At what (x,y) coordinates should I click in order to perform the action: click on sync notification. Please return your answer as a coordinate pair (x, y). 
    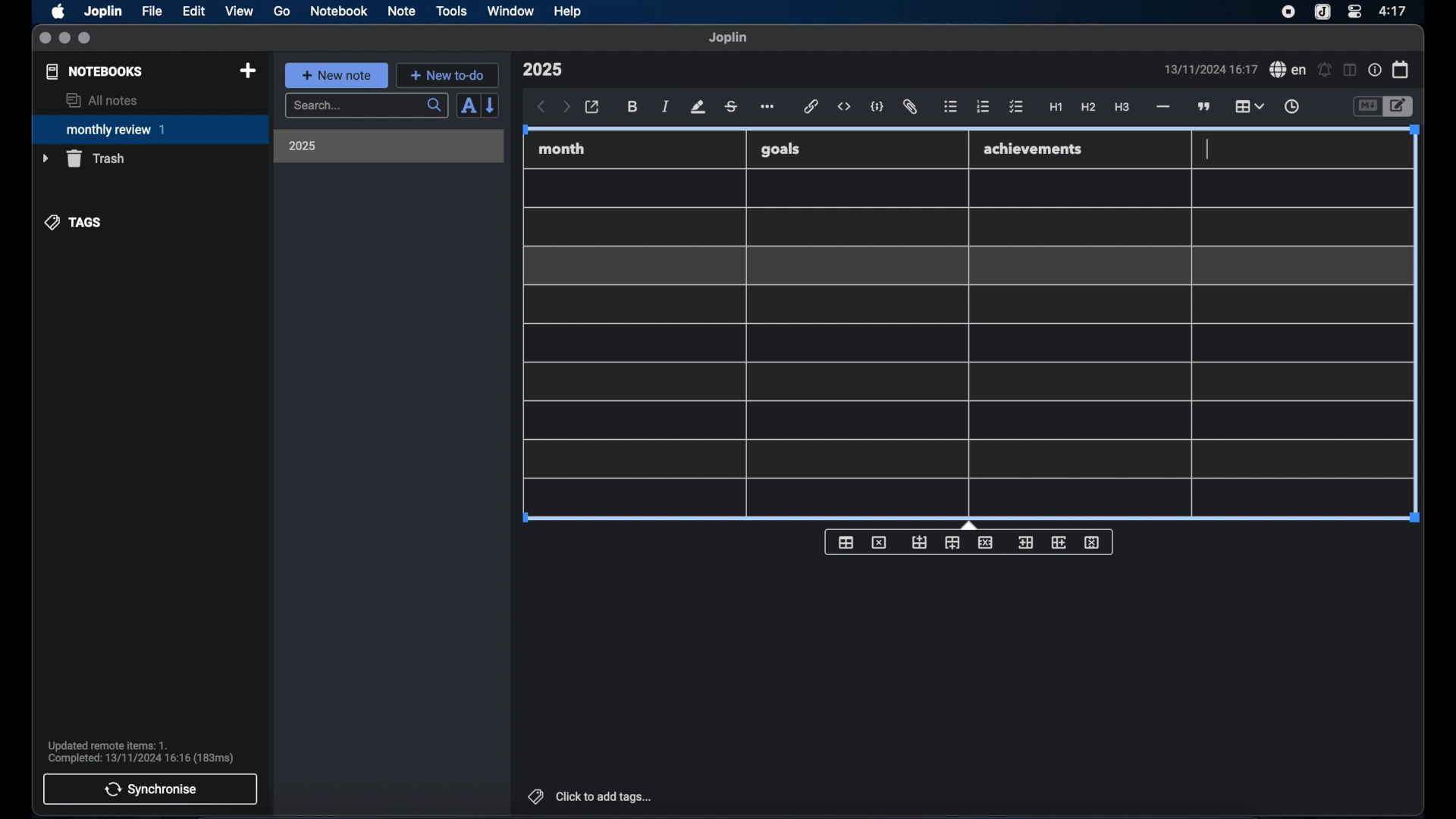
    Looking at the image, I should click on (141, 752).